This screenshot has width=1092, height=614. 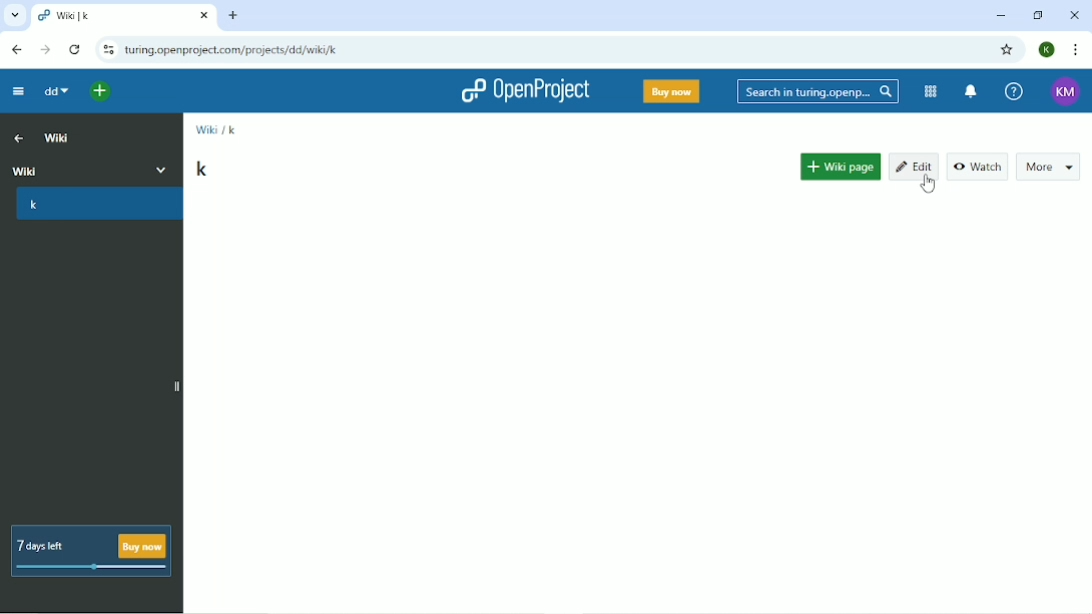 I want to click on Account, so click(x=1063, y=90).